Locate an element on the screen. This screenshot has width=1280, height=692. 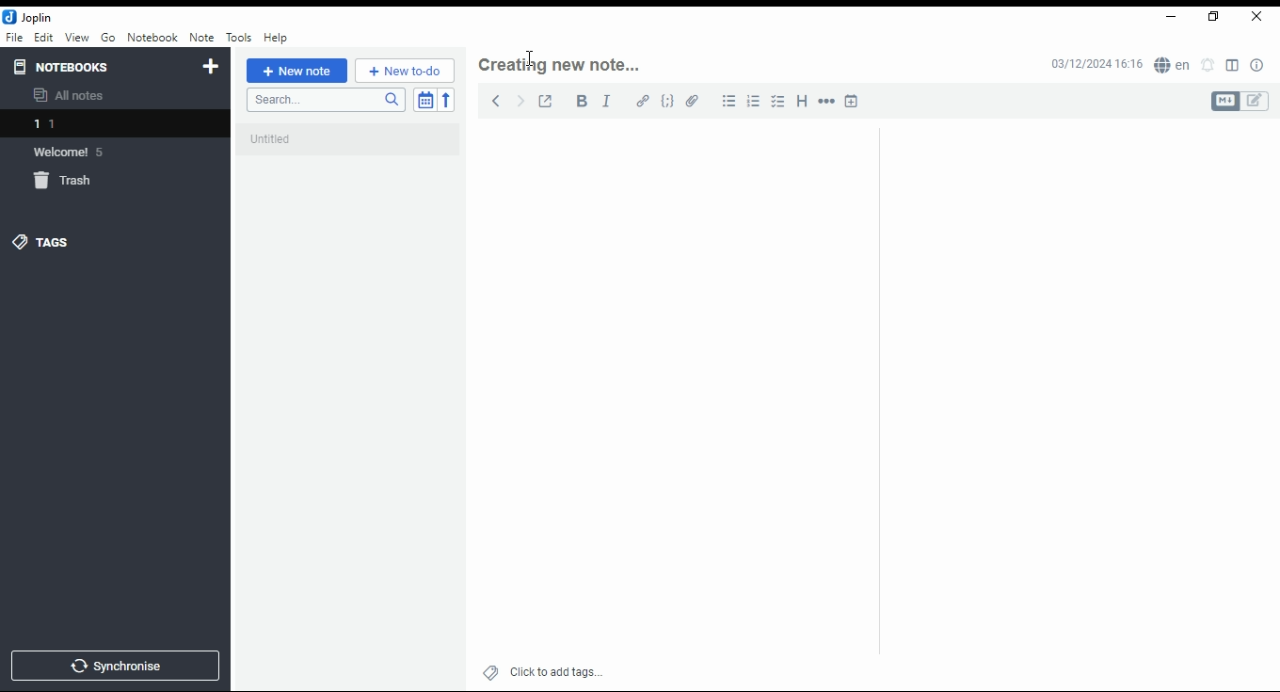
view is located at coordinates (77, 38).